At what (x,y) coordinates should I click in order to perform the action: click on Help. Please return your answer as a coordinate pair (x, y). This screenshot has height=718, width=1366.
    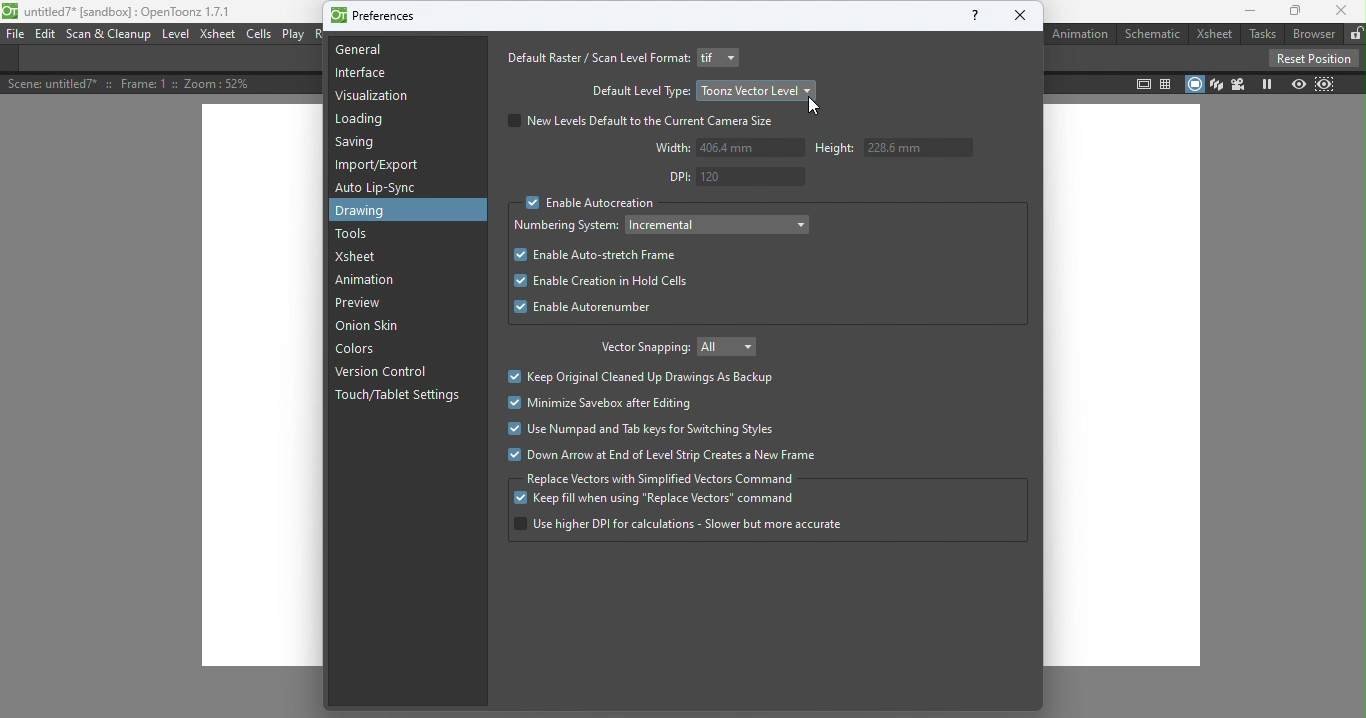
    Looking at the image, I should click on (968, 19).